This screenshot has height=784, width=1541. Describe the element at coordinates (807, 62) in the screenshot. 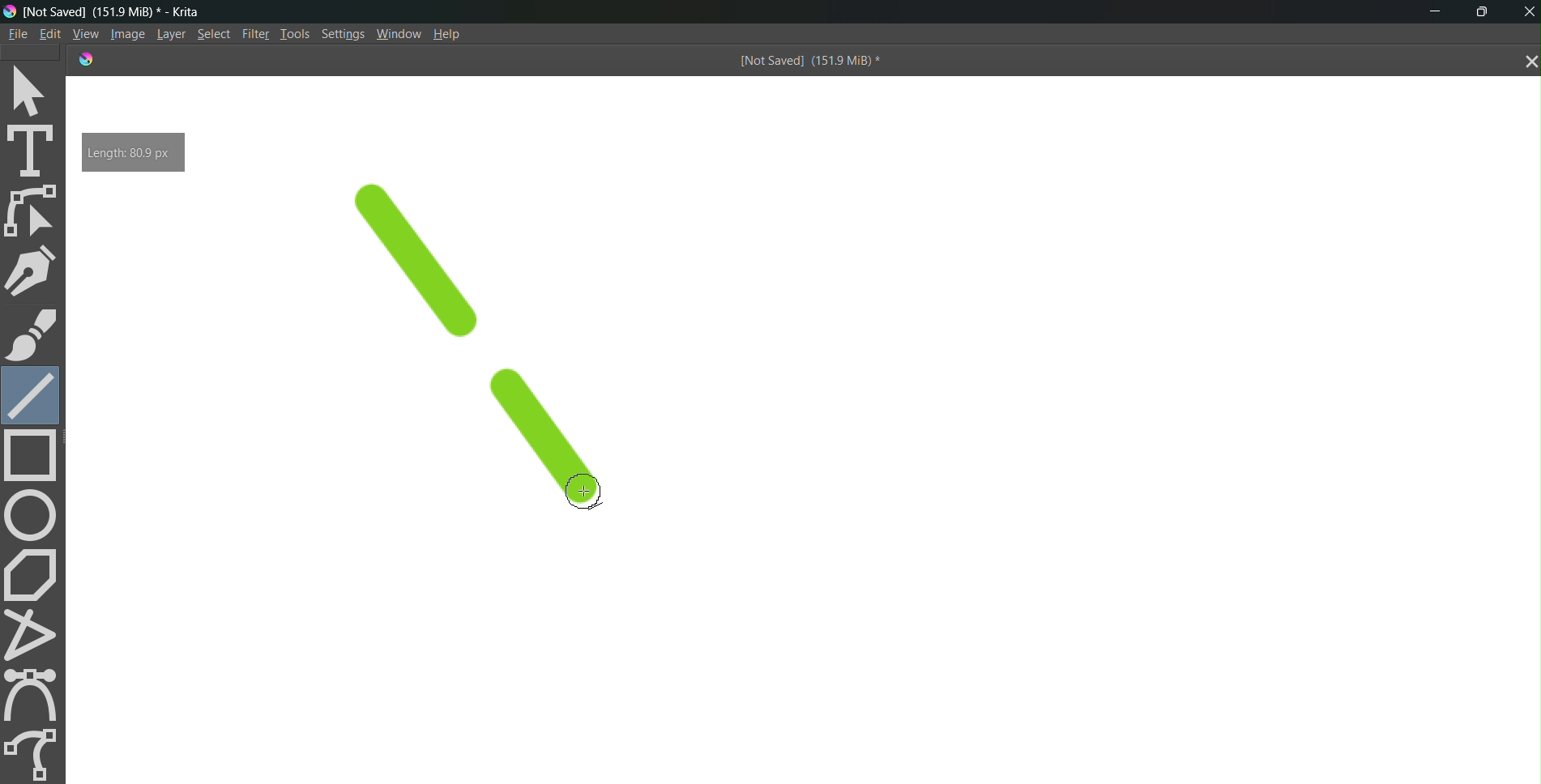

I see `[Not Saved] (151.9 MiB) *` at that location.